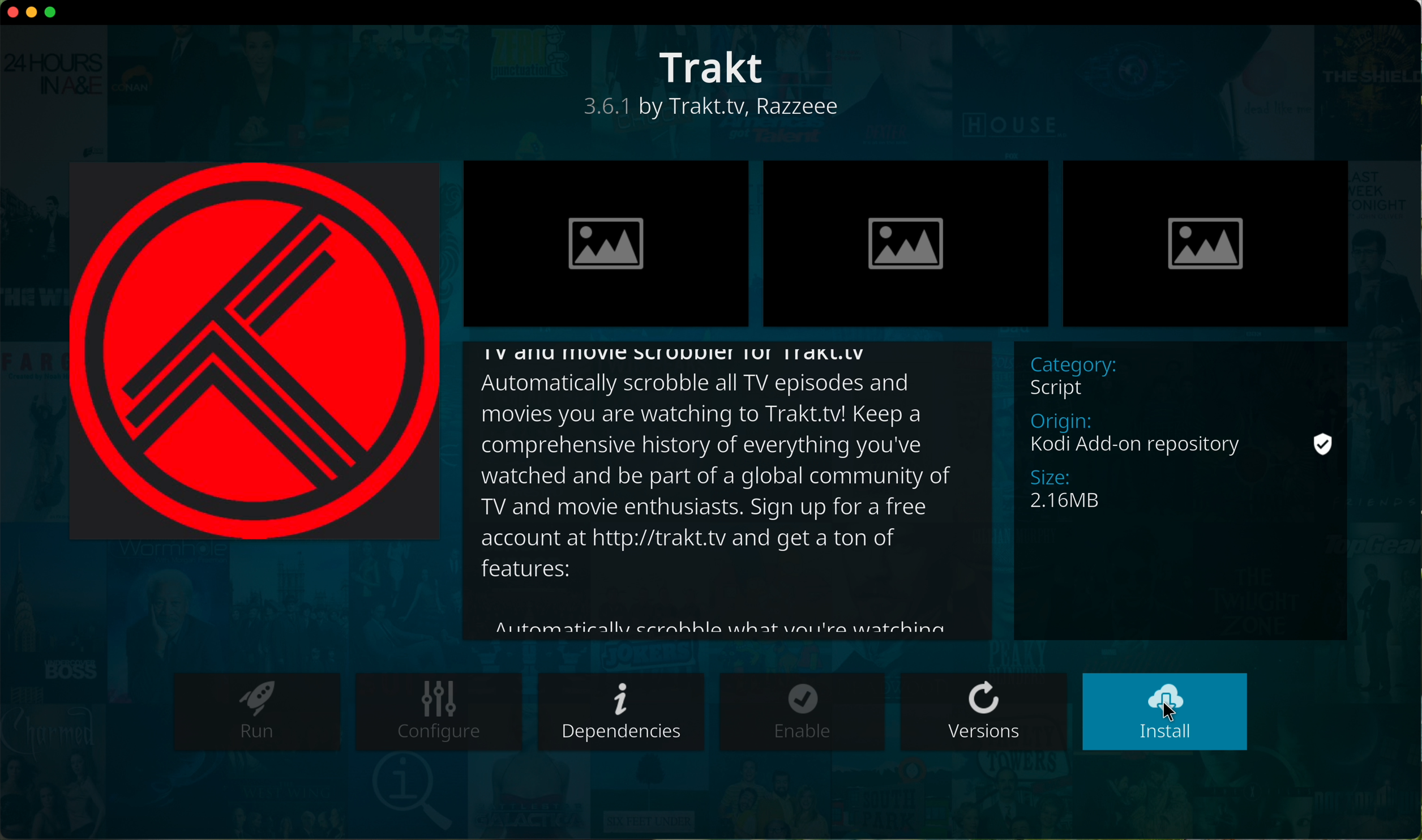  I want to click on configure, so click(440, 712).